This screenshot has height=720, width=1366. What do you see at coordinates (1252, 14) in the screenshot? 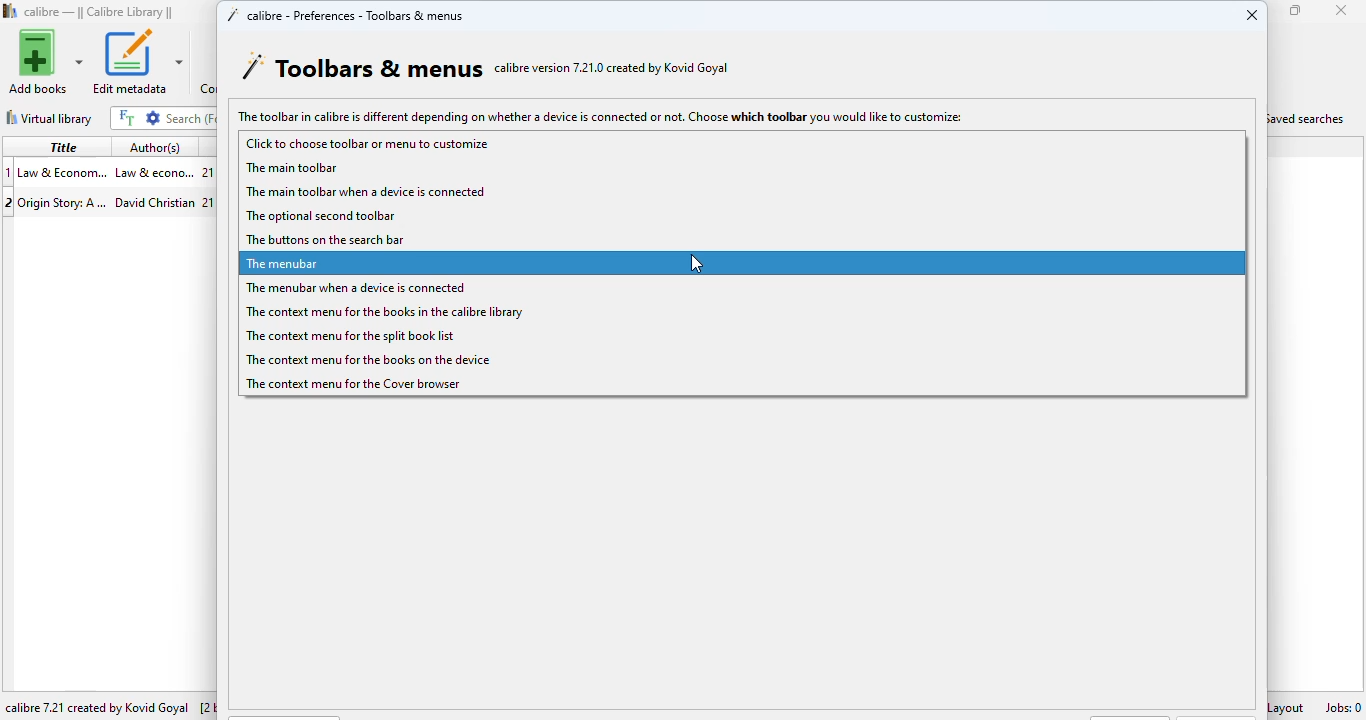
I see `close` at bounding box center [1252, 14].